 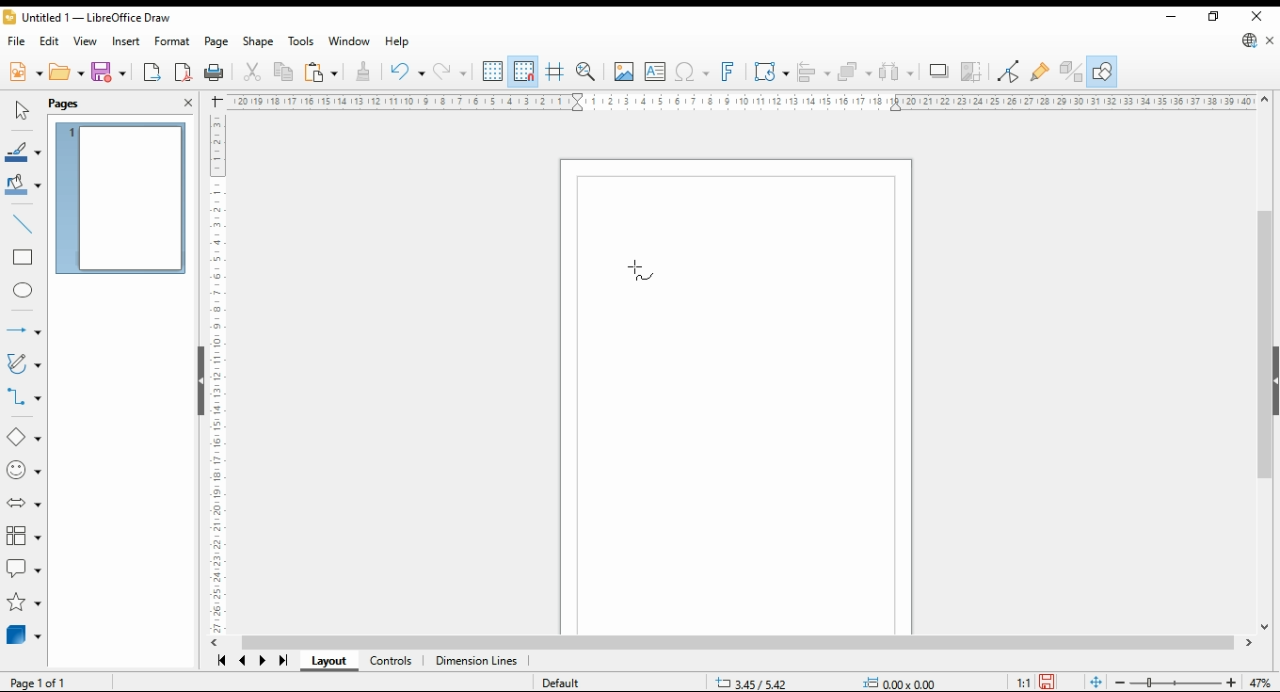 What do you see at coordinates (394, 661) in the screenshot?
I see `controls` at bounding box center [394, 661].